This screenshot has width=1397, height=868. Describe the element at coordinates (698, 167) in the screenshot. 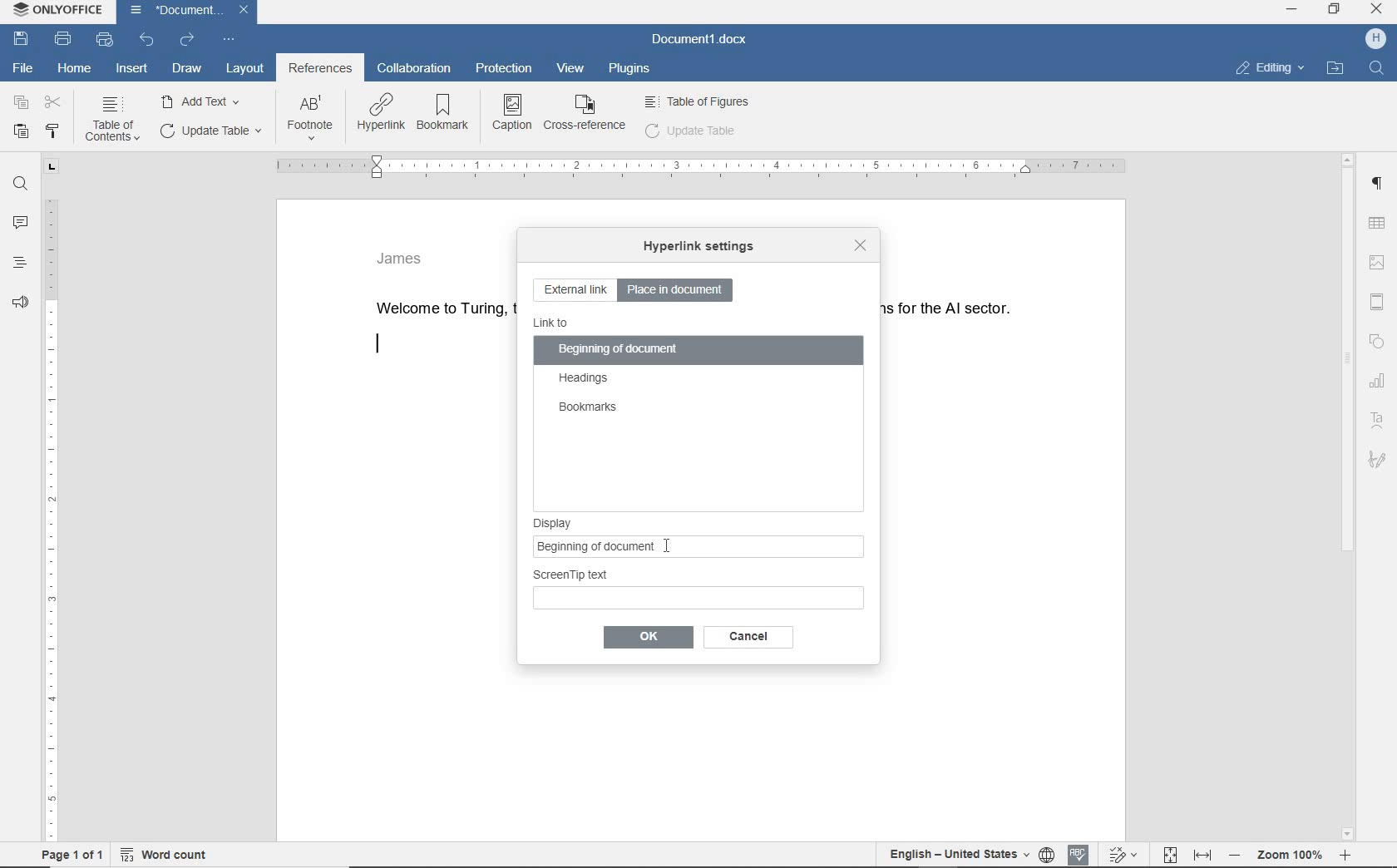

I see `ruler` at that location.